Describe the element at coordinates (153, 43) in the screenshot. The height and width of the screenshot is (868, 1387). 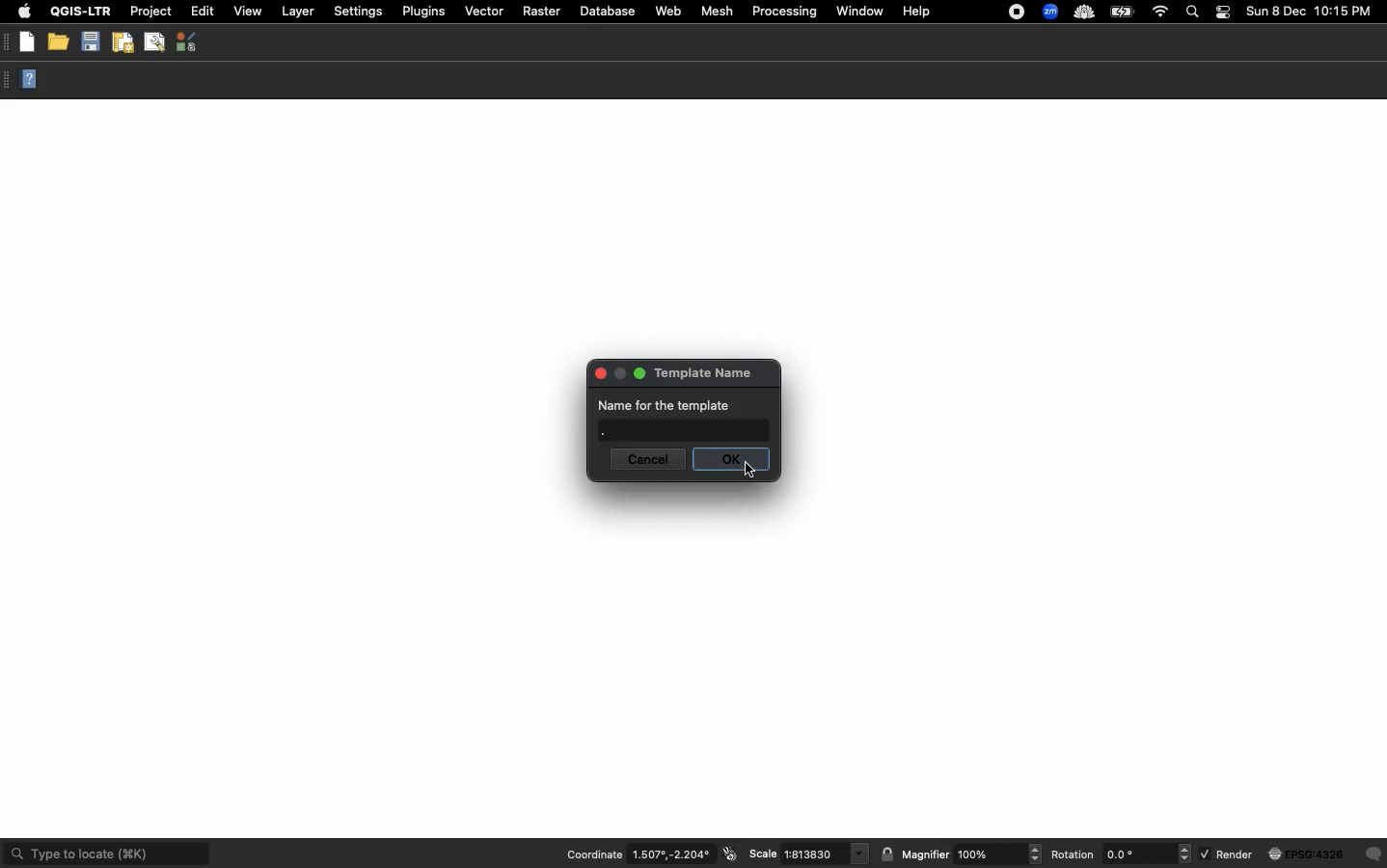
I see `Show layout manager` at that location.